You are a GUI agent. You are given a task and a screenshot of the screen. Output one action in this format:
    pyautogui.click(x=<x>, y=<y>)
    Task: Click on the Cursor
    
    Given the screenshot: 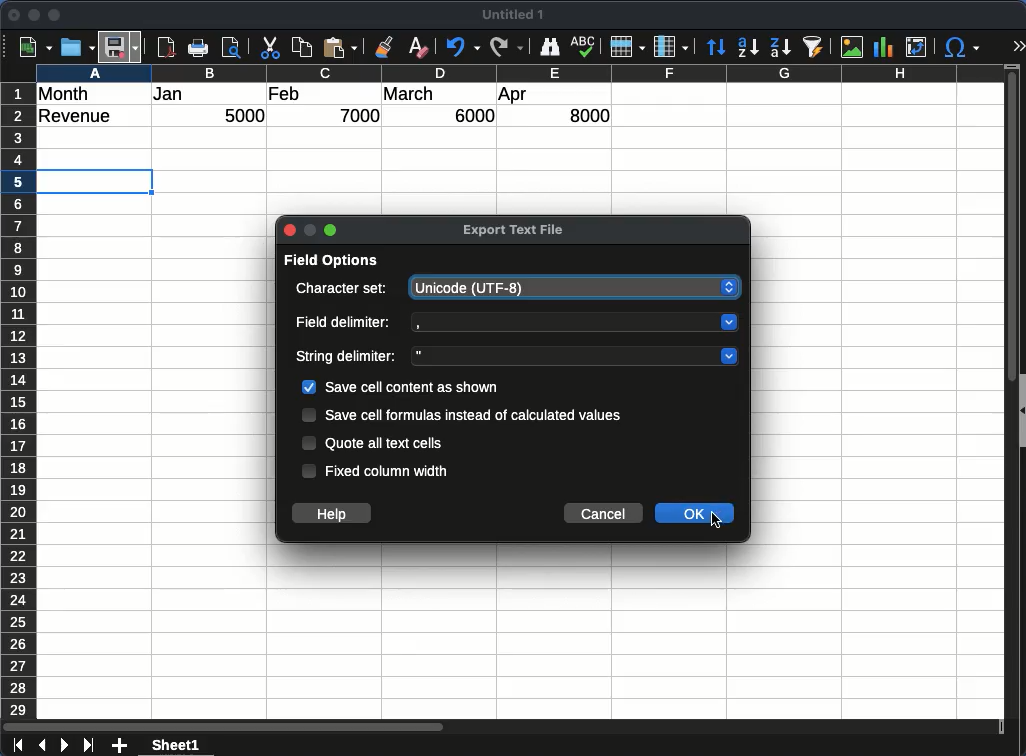 What is the action you would take?
    pyautogui.click(x=715, y=522)
    